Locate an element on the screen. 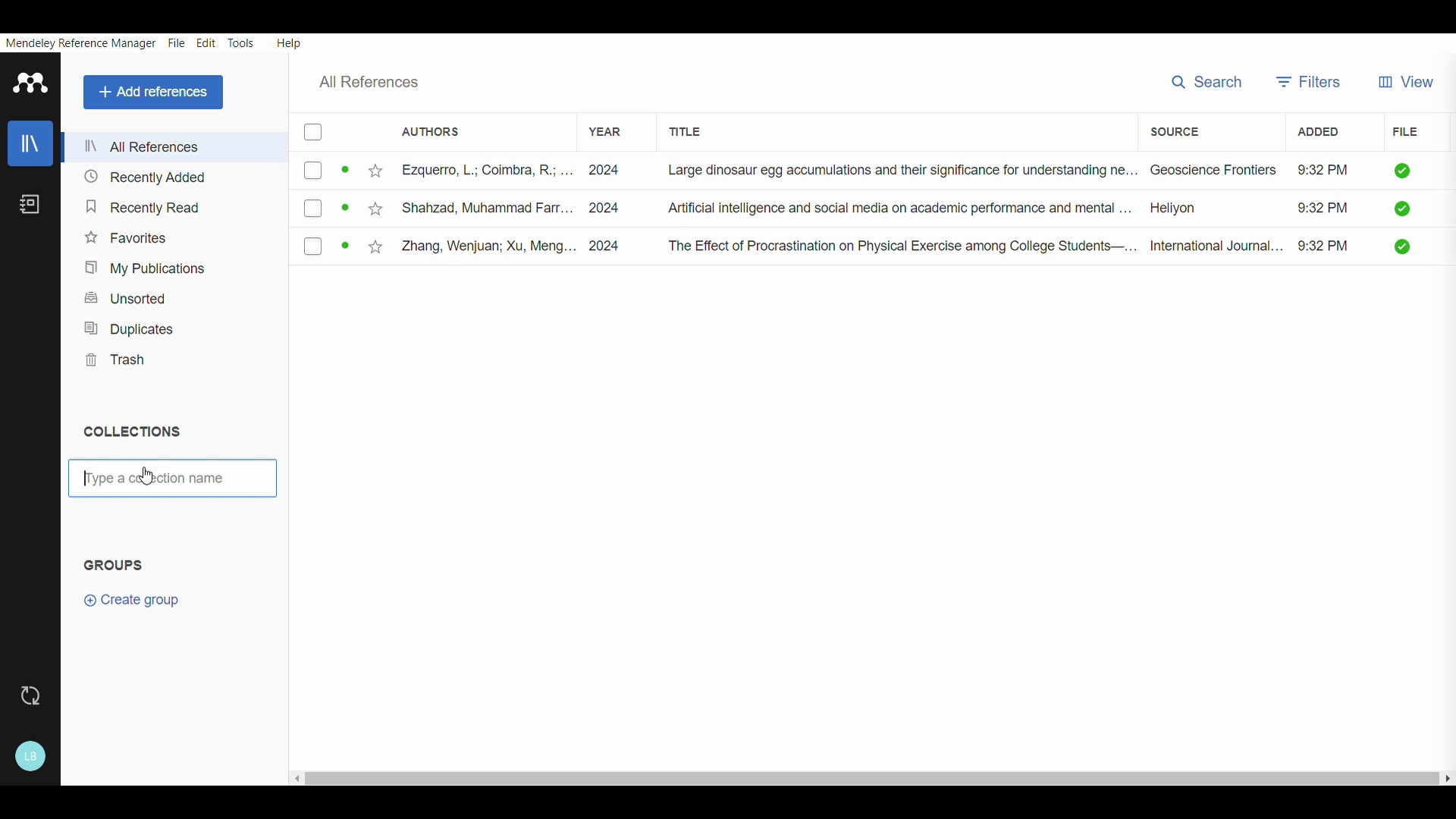 The height and width of the screenshot is (819, 1456). 2024 is located at coordinates (607, 207).